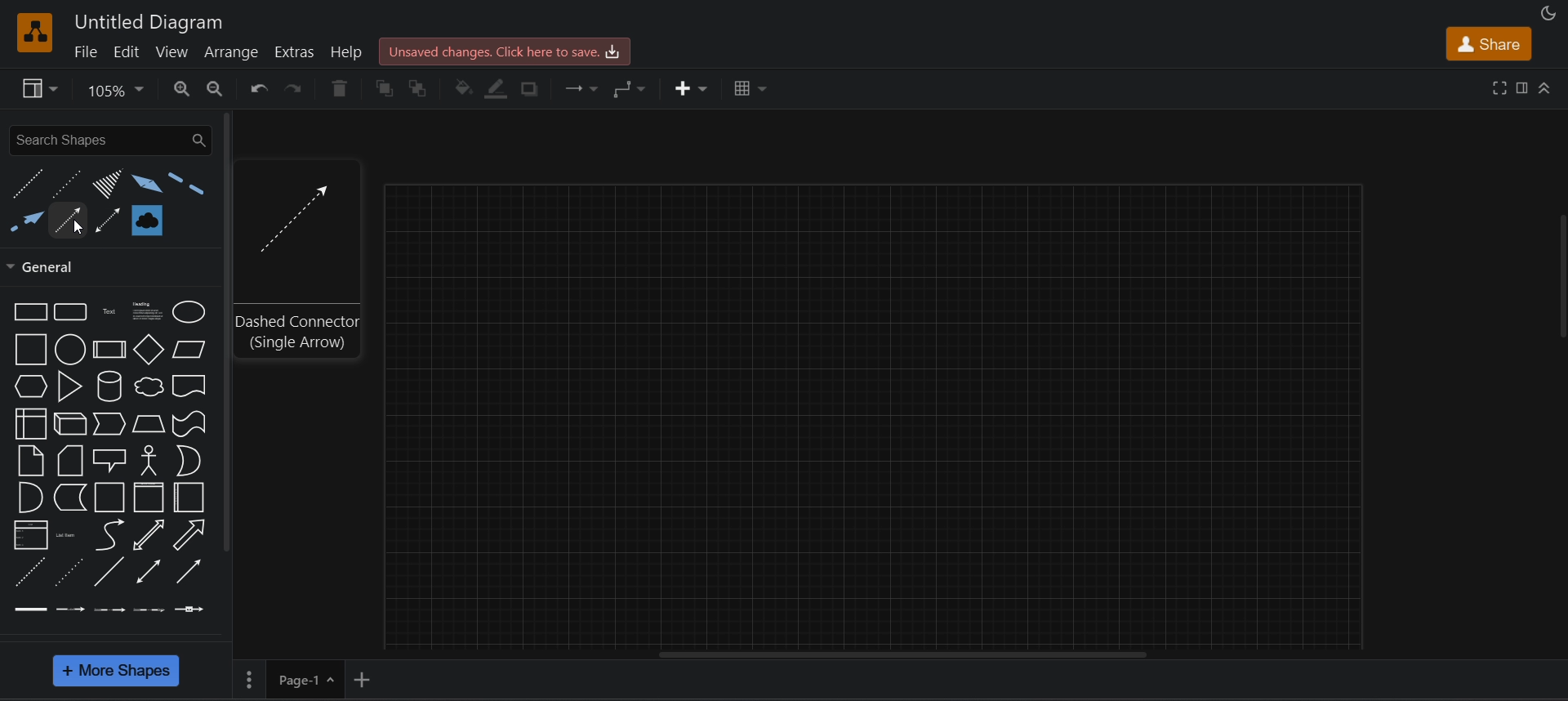  Describe the element at coordinates (500, 89) in the screenshot. I see `line color` at that location.